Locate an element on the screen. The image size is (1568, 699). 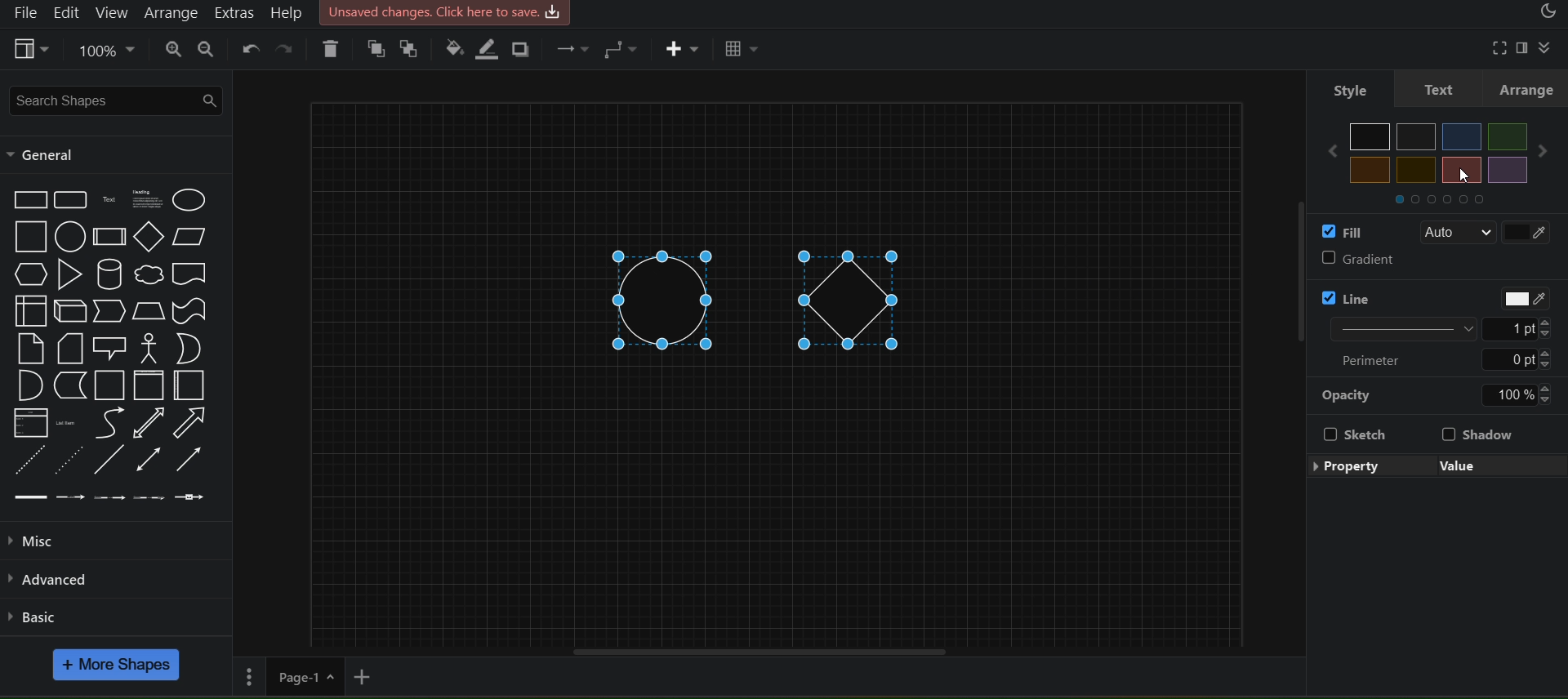
Text is located at coordinates (110, 199).